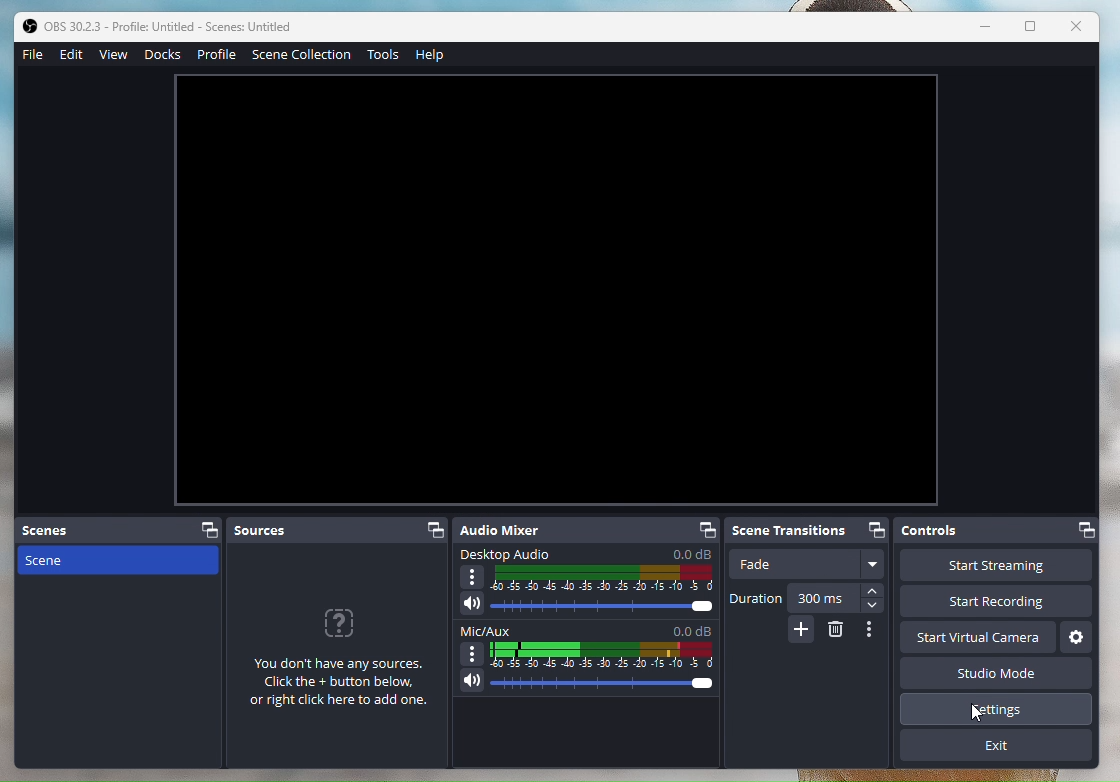 The height and width of the screenshot is (782, 1120). Describe the element at coordinates (973, 637) in the screenshot. I see `Start Virtual Camera` at that location.